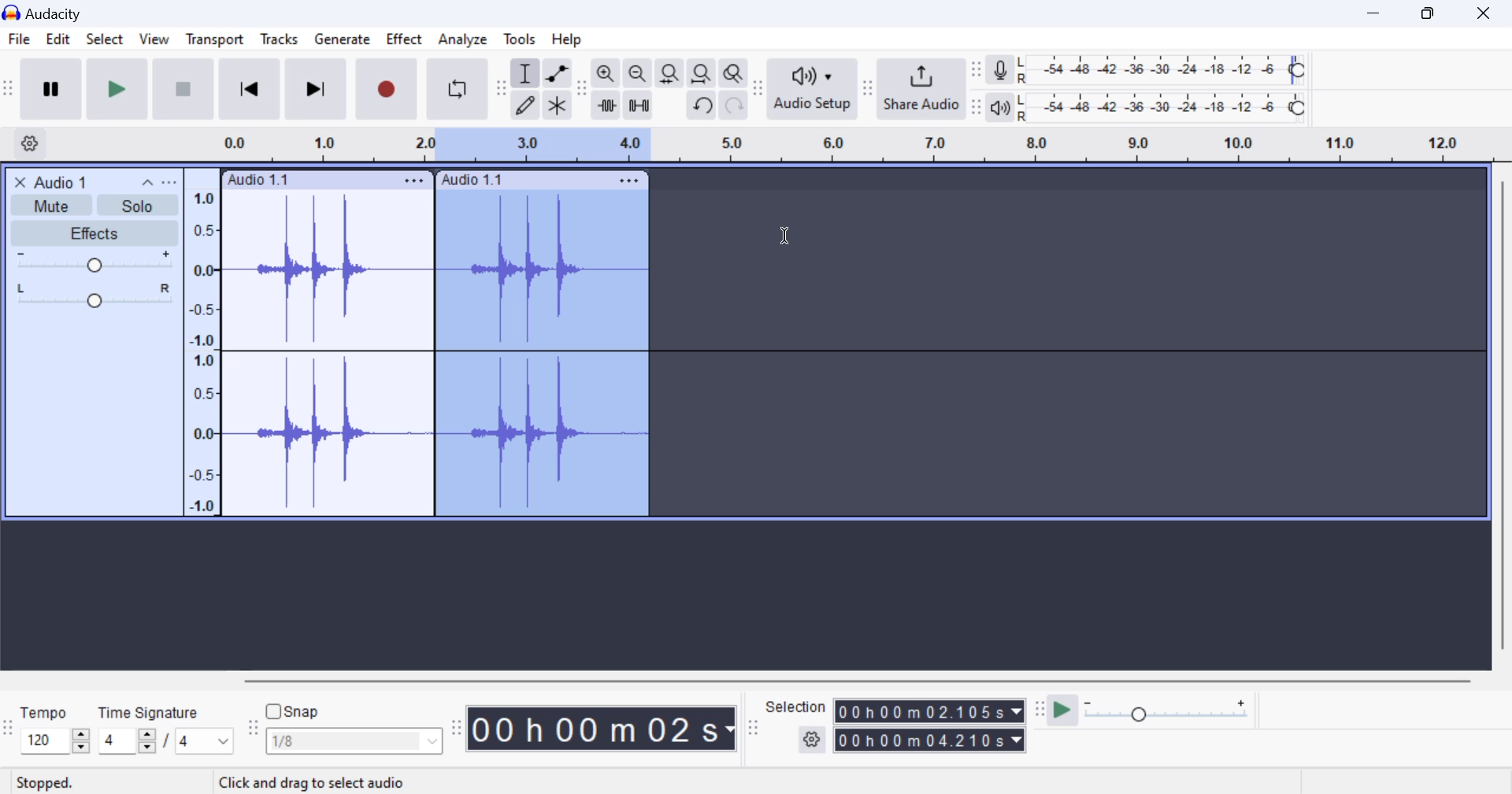 The height and width of the screenshot is (794, 1512). What do you see at coordinates (932, 728) in the screenshot?
I see `Selected Clip Length` at bounding box center [932, 728].